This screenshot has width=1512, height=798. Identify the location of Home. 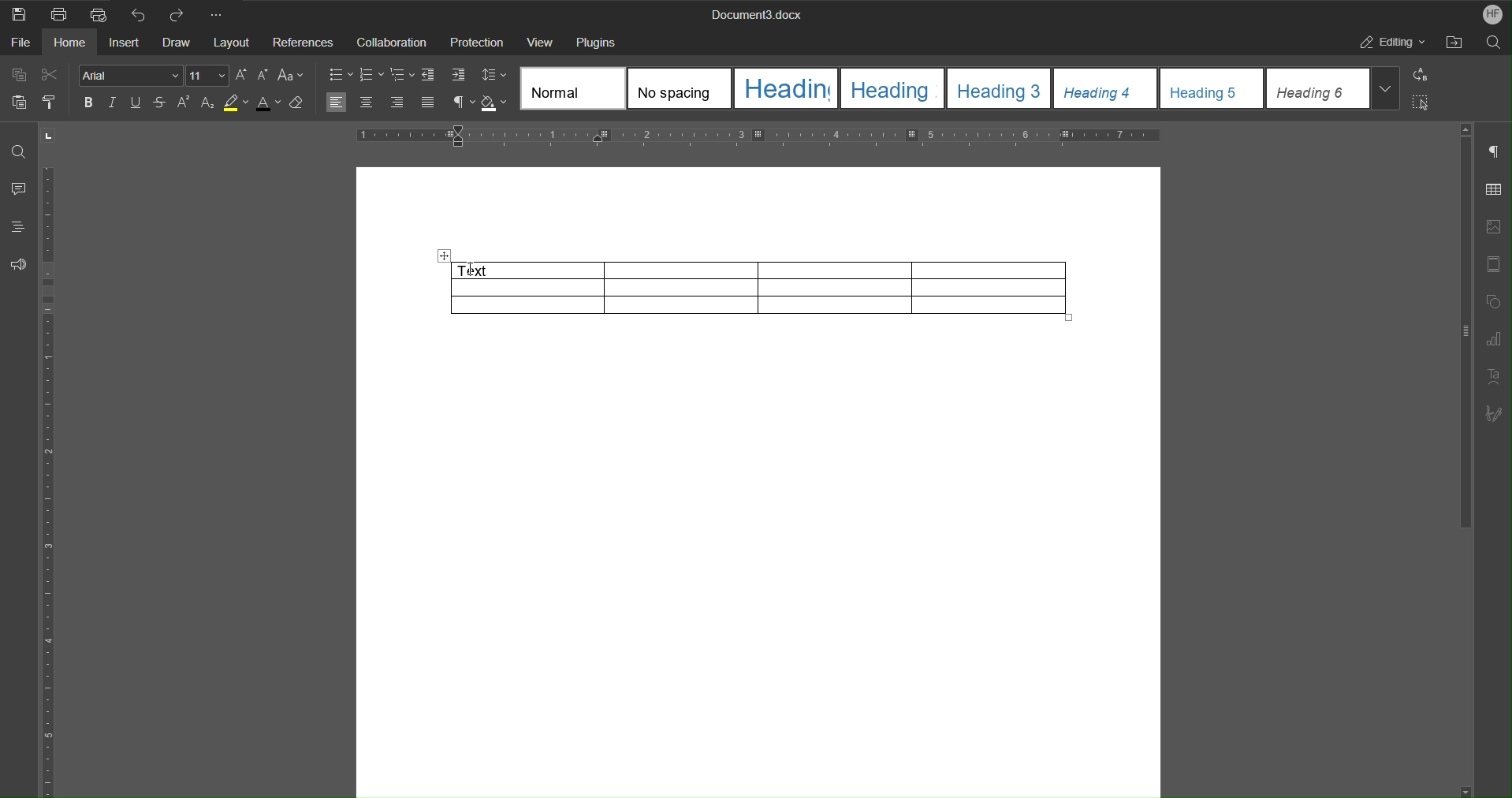
(71, 43).